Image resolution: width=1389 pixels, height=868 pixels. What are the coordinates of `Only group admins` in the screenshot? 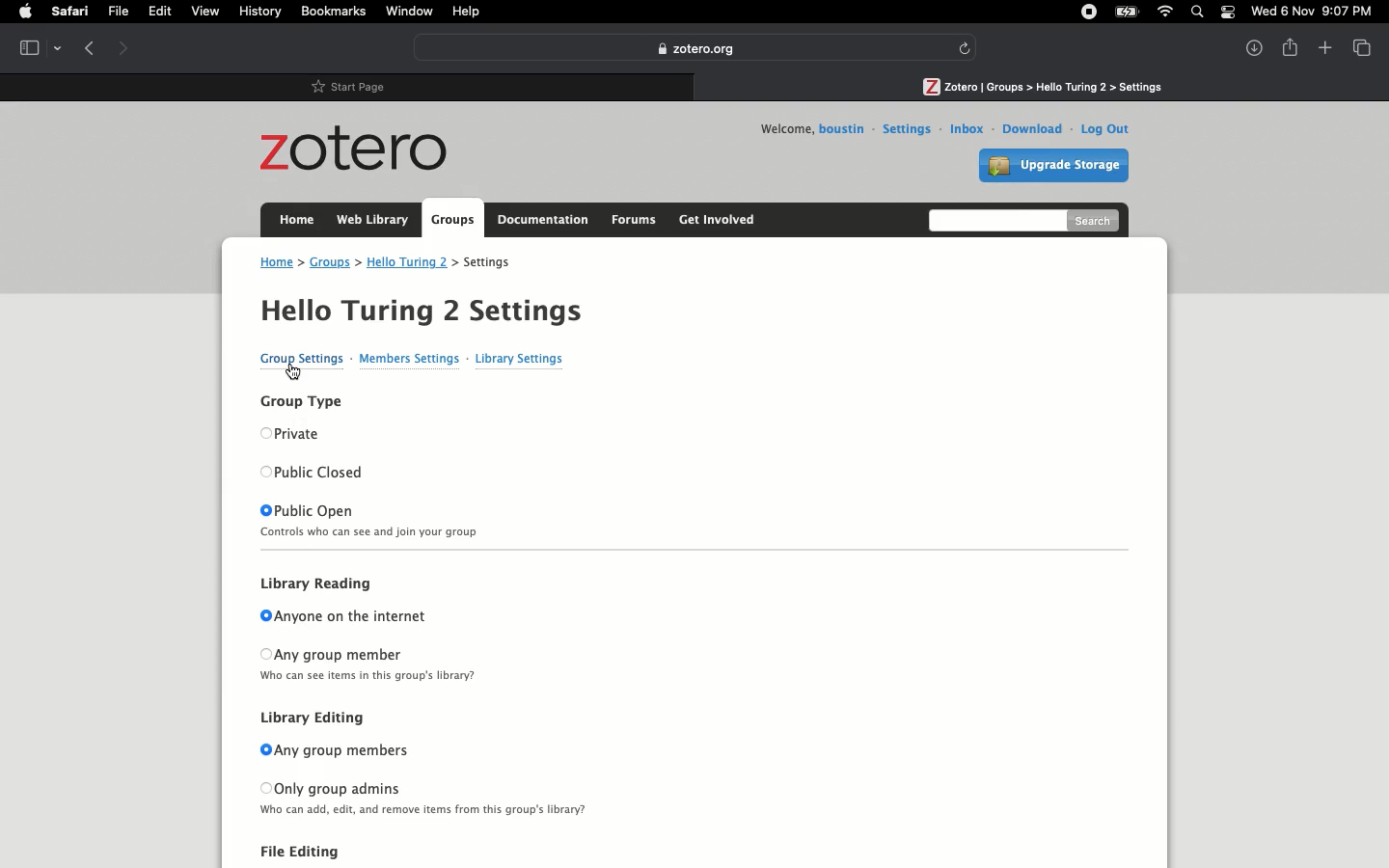 It's located at (423, 802).